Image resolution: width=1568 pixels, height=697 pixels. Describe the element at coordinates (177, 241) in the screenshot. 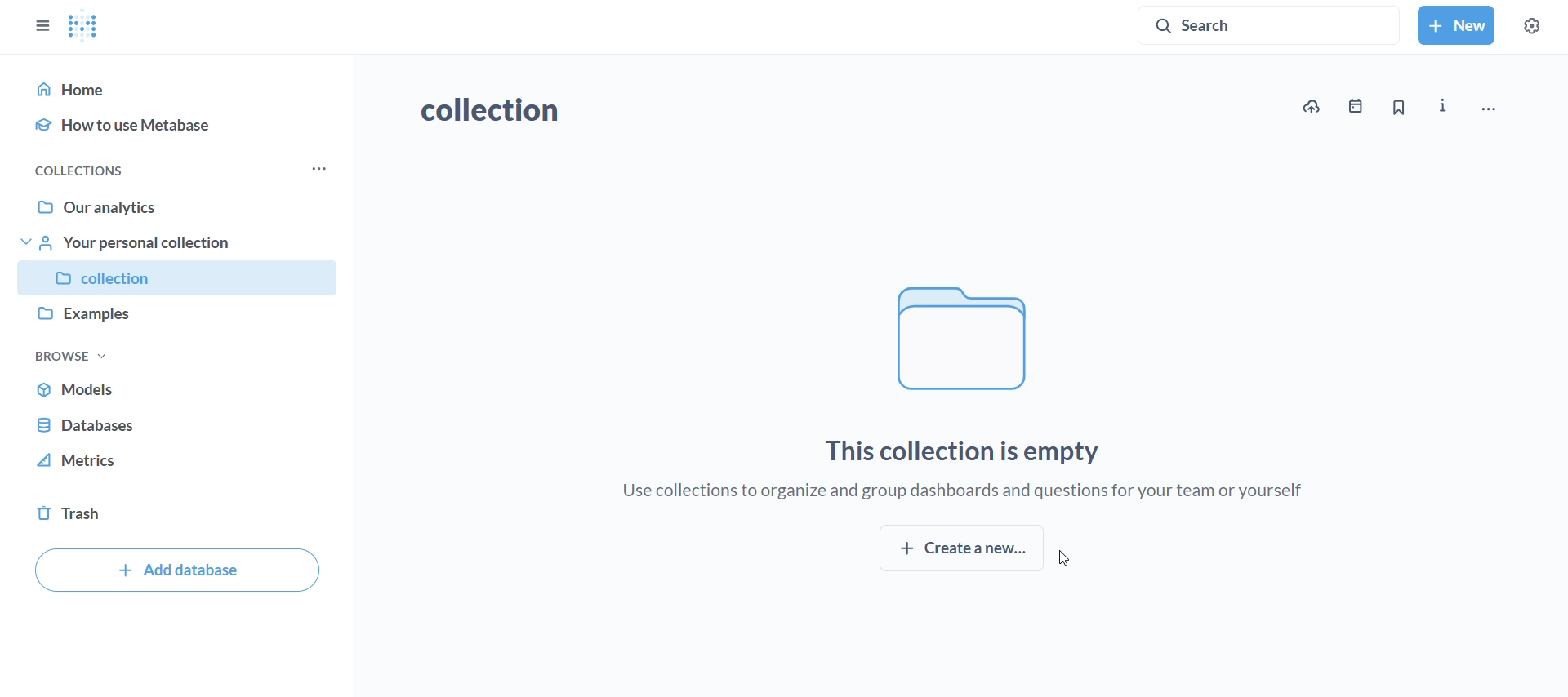

I see `your personal collection` at that location.